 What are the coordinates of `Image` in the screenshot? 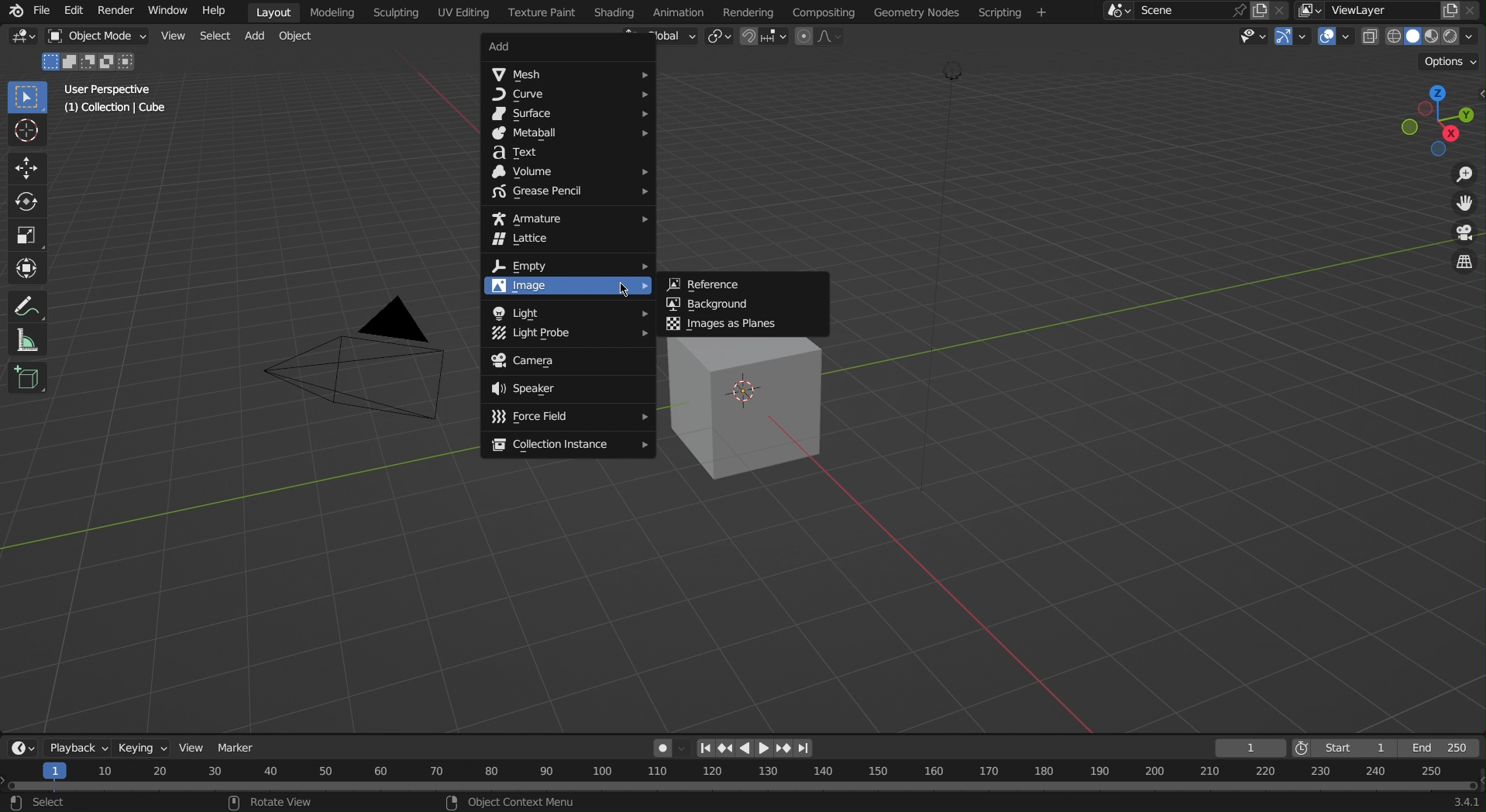 It's located at (564, 287).